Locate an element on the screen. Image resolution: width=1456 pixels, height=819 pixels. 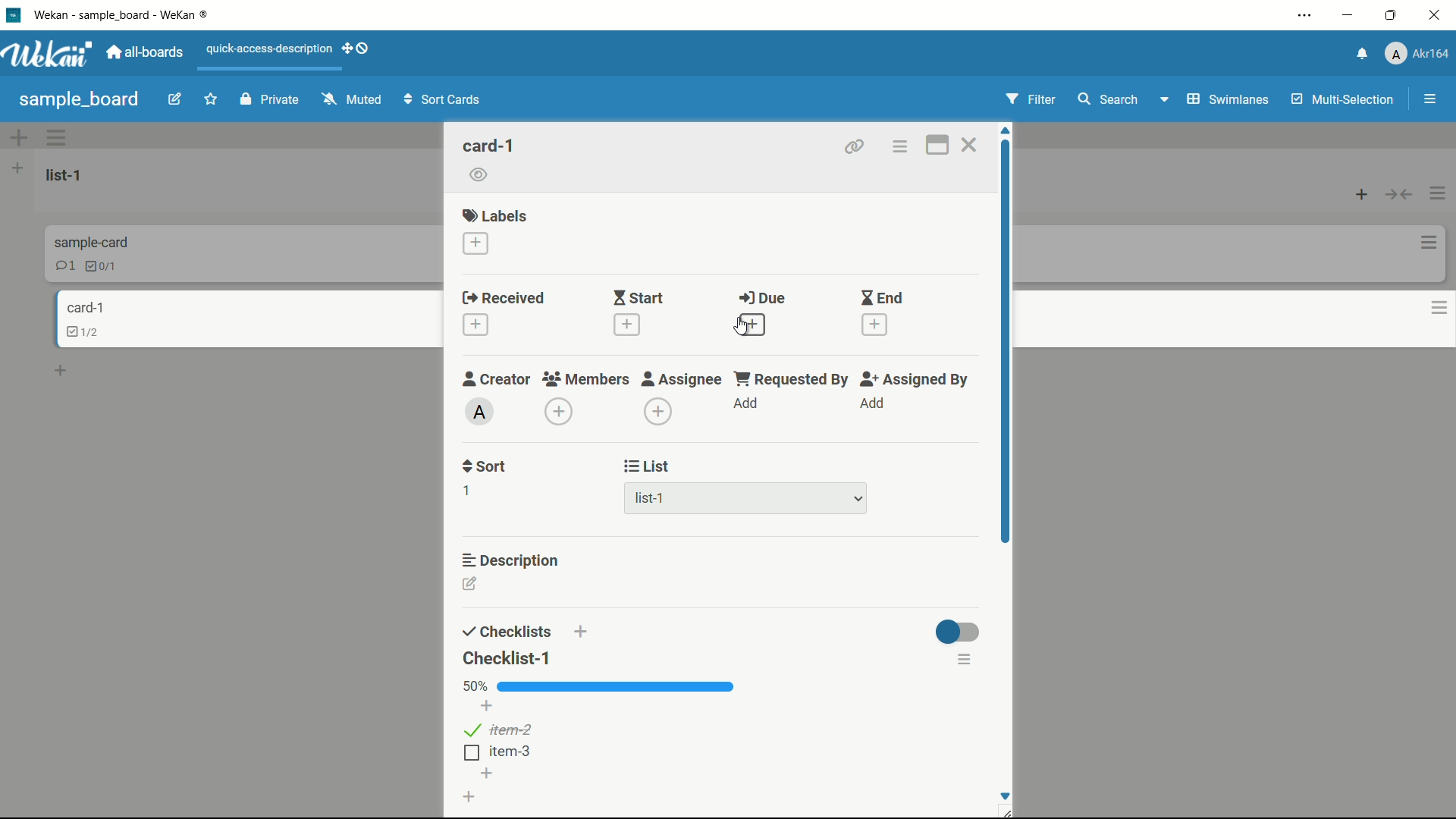
checklists is located at coordinates (508, 631).